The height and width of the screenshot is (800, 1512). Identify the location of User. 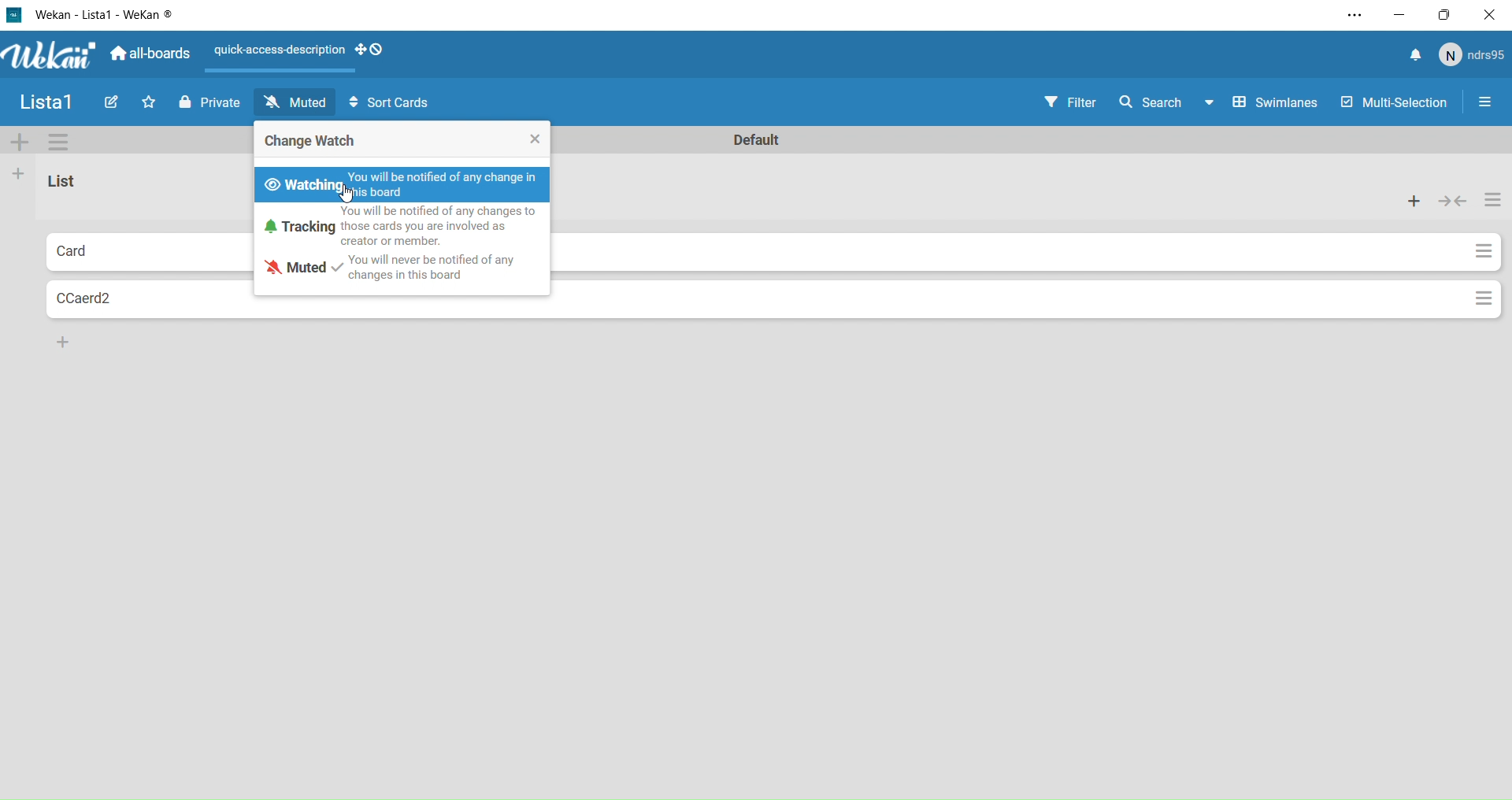
(1475, 56).